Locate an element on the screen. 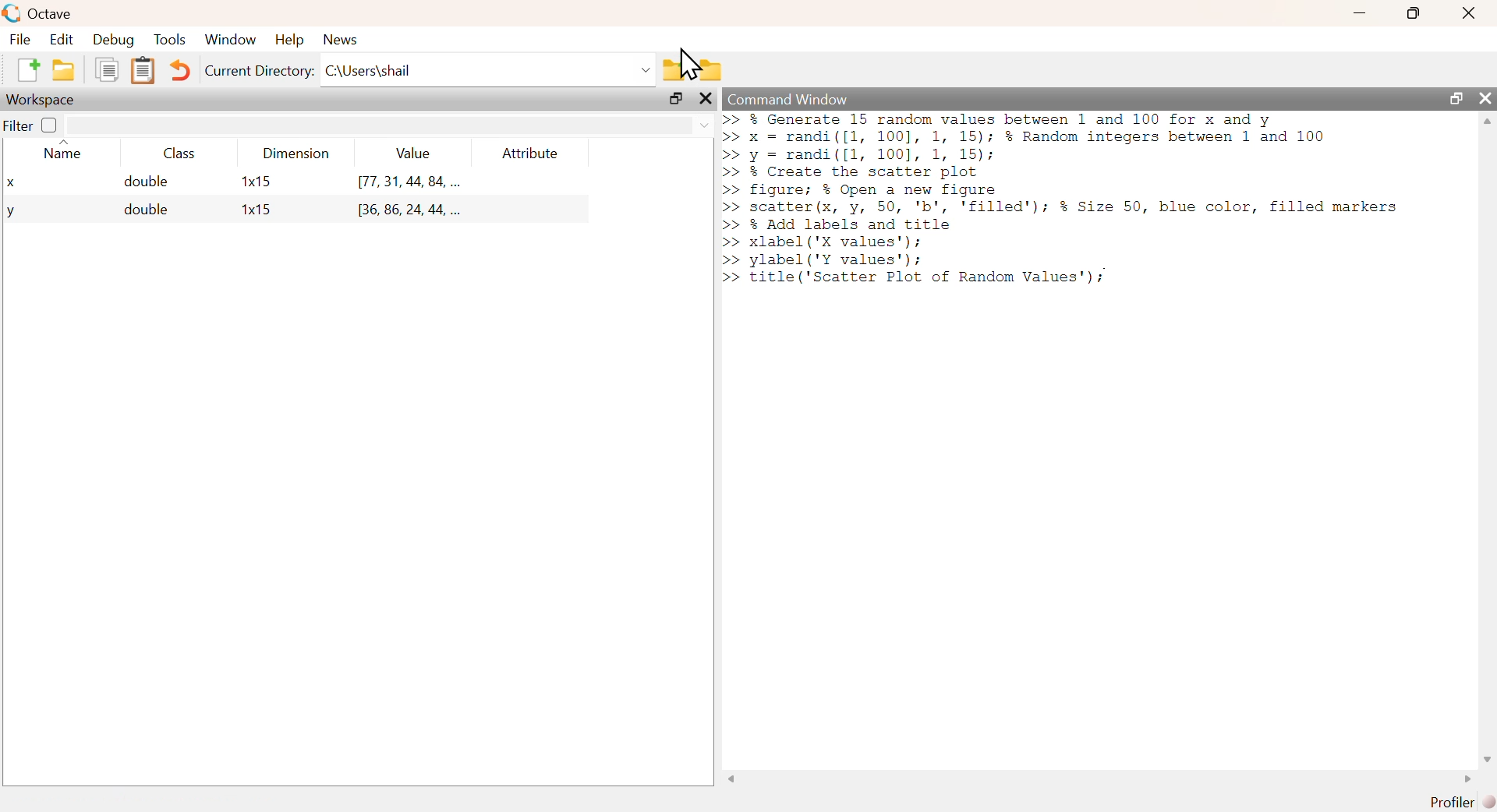 The height and width of the screenshot is (812, 1497). double is located at coordinates (146, 209).